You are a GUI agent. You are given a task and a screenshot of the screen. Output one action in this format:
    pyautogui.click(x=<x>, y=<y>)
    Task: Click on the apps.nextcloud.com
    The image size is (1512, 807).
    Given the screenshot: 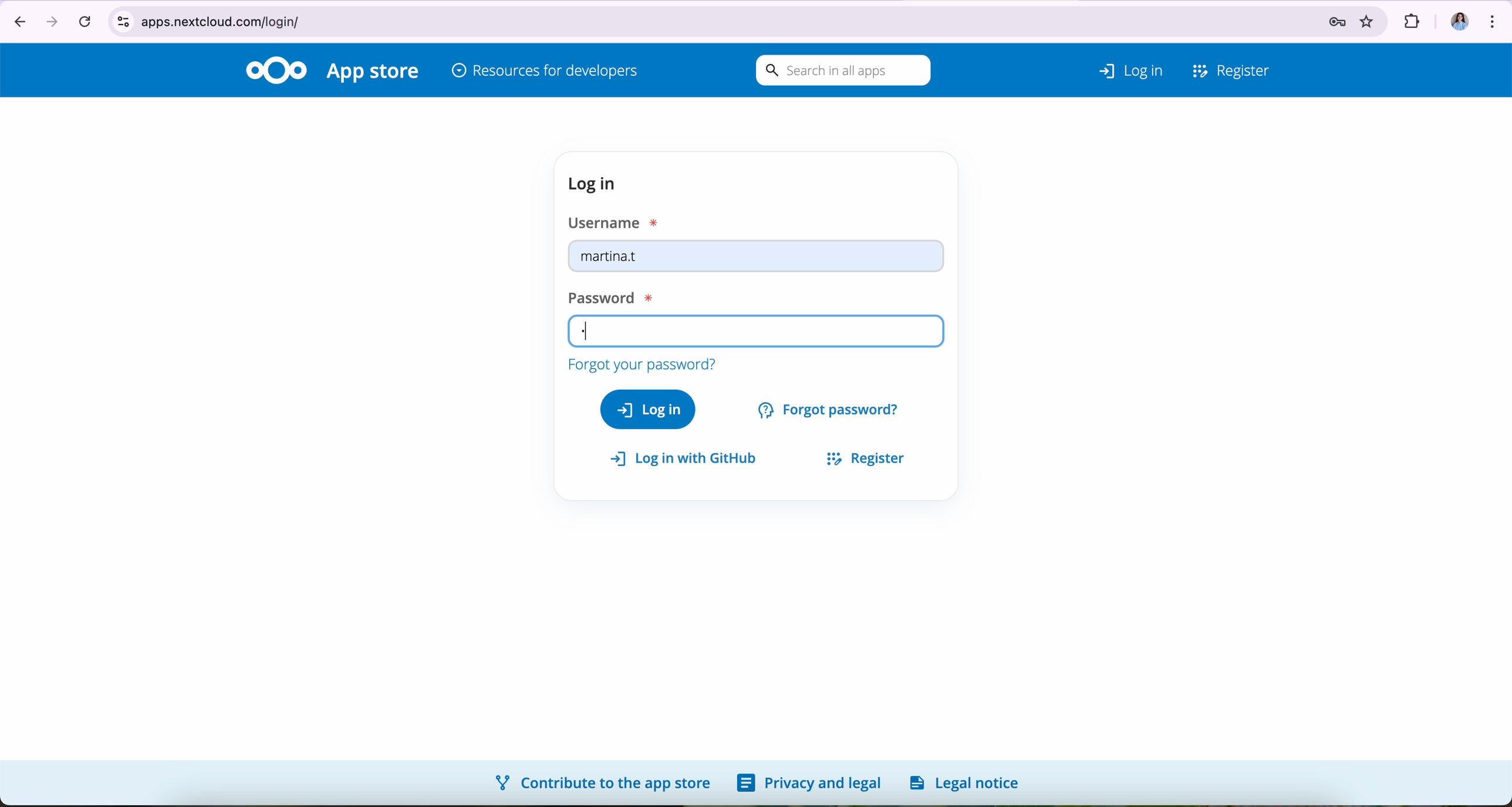 What is the action you would take?
    pyautogui.click(x=668, y=19)
    